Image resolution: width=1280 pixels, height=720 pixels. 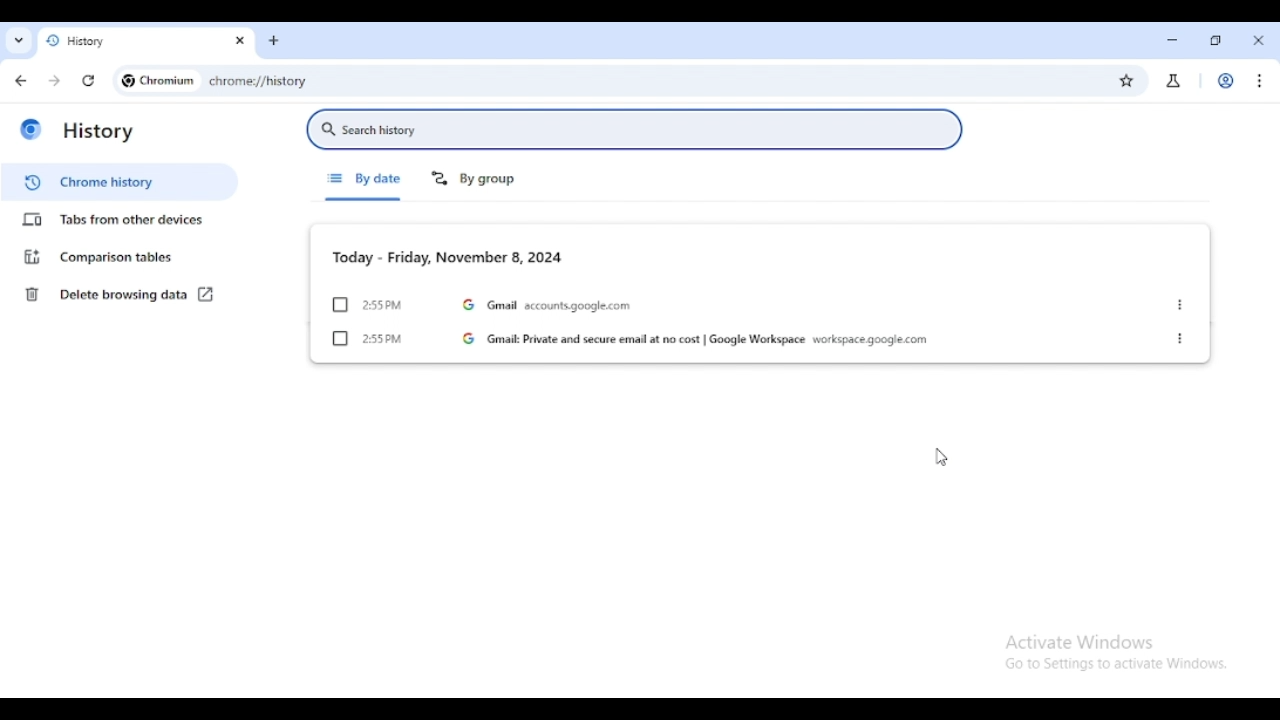 What do you see at coordinates (1258, 40) in the screenshot?
I see `close` at bounding box center [1258, 40].